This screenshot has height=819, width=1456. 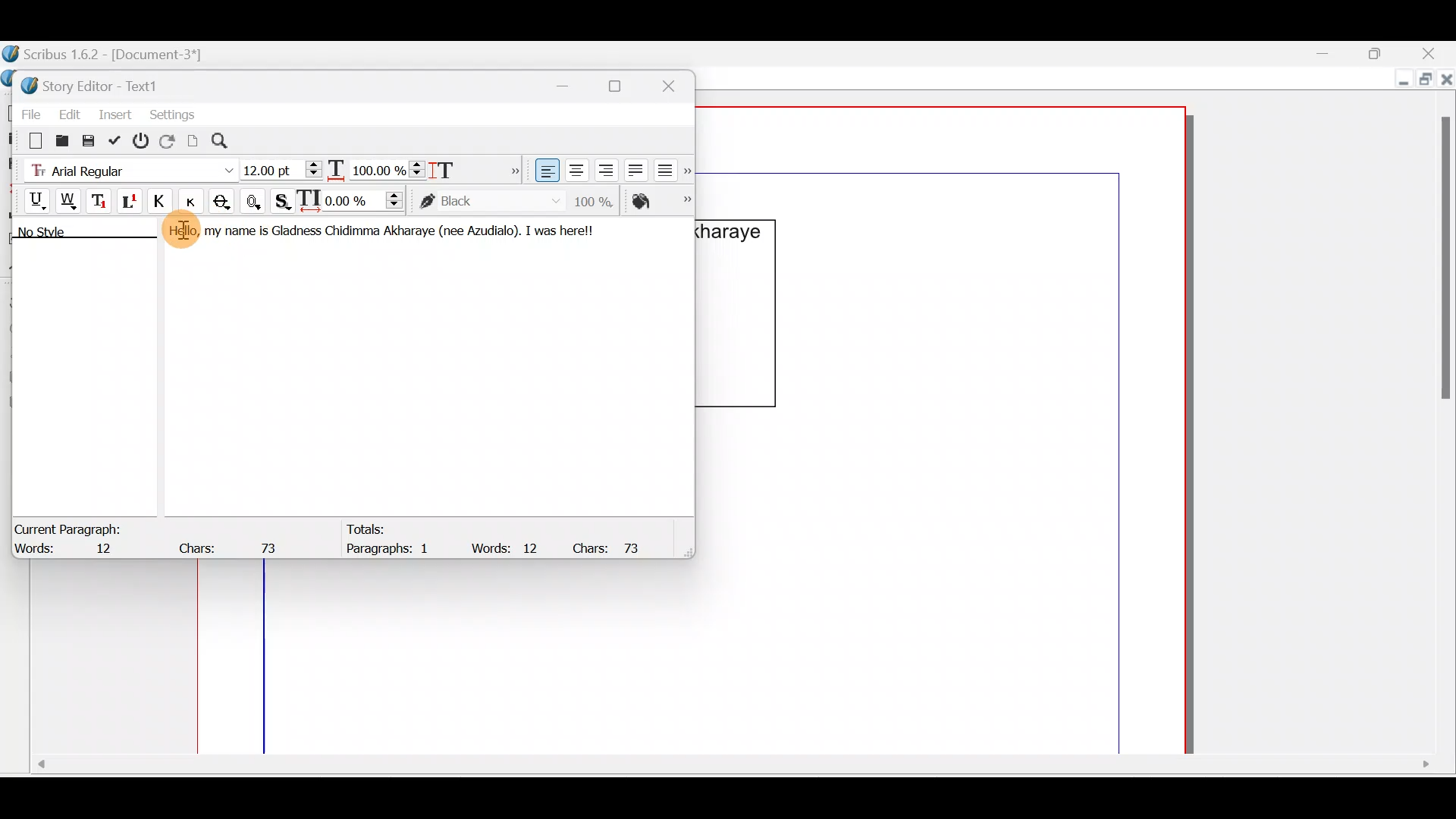 What do you see at coordinates (28, 140) in the screenshot?
I see `Clear all text` at bounding box center [28, 140].